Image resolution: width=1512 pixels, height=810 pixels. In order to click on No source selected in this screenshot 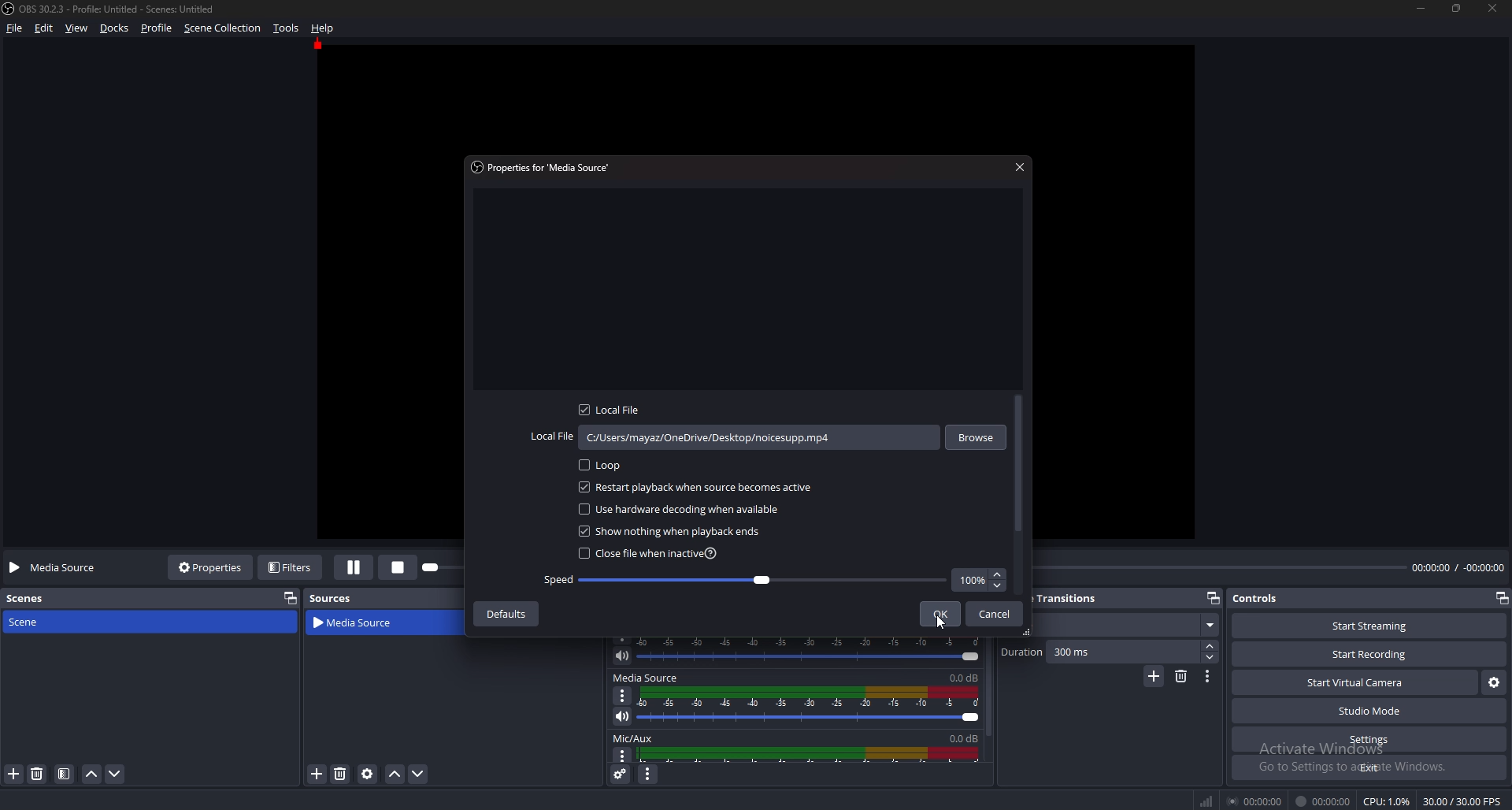, I will do `click(57, 567)`.